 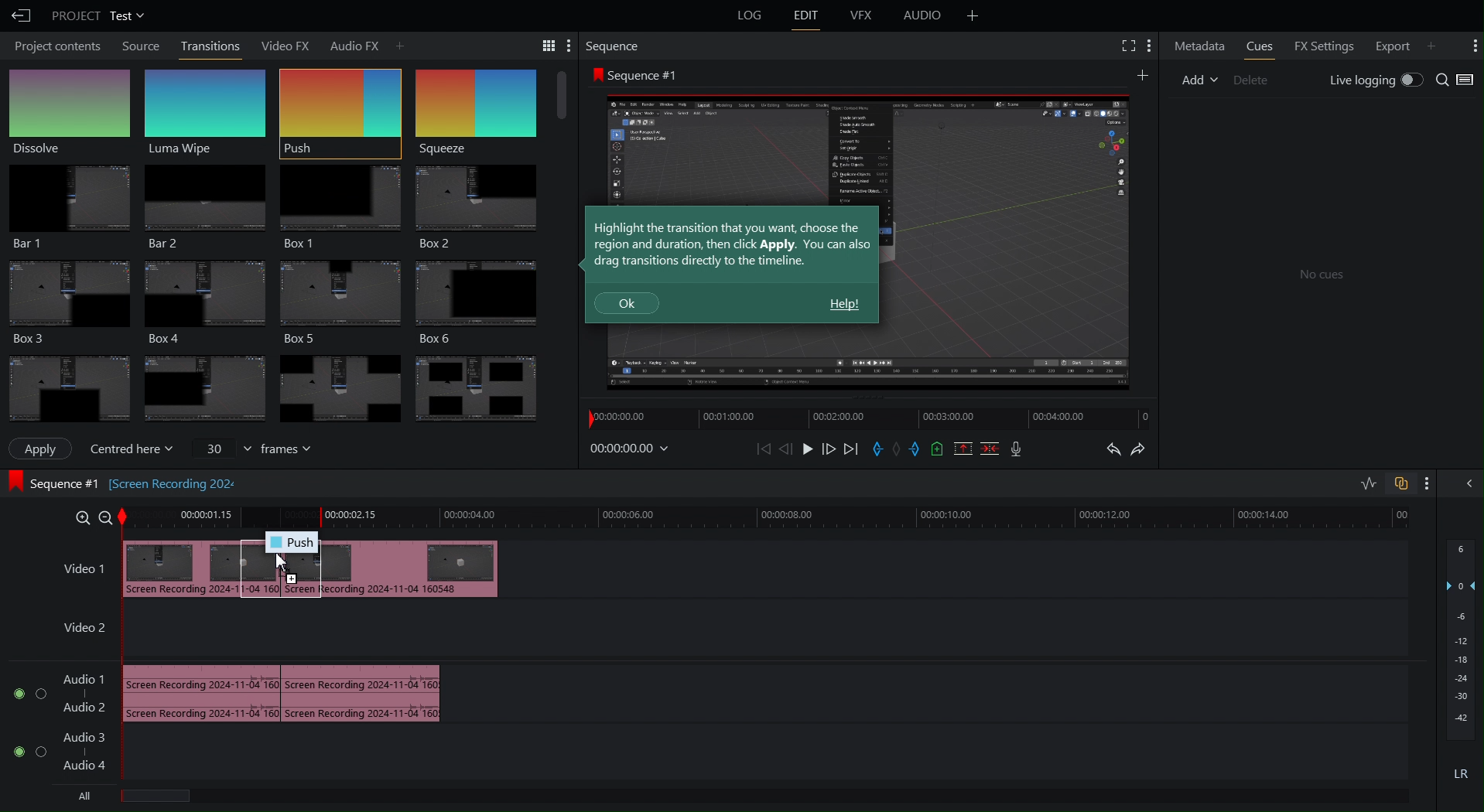 I want to click on Apply, so click(x=42, y=448).